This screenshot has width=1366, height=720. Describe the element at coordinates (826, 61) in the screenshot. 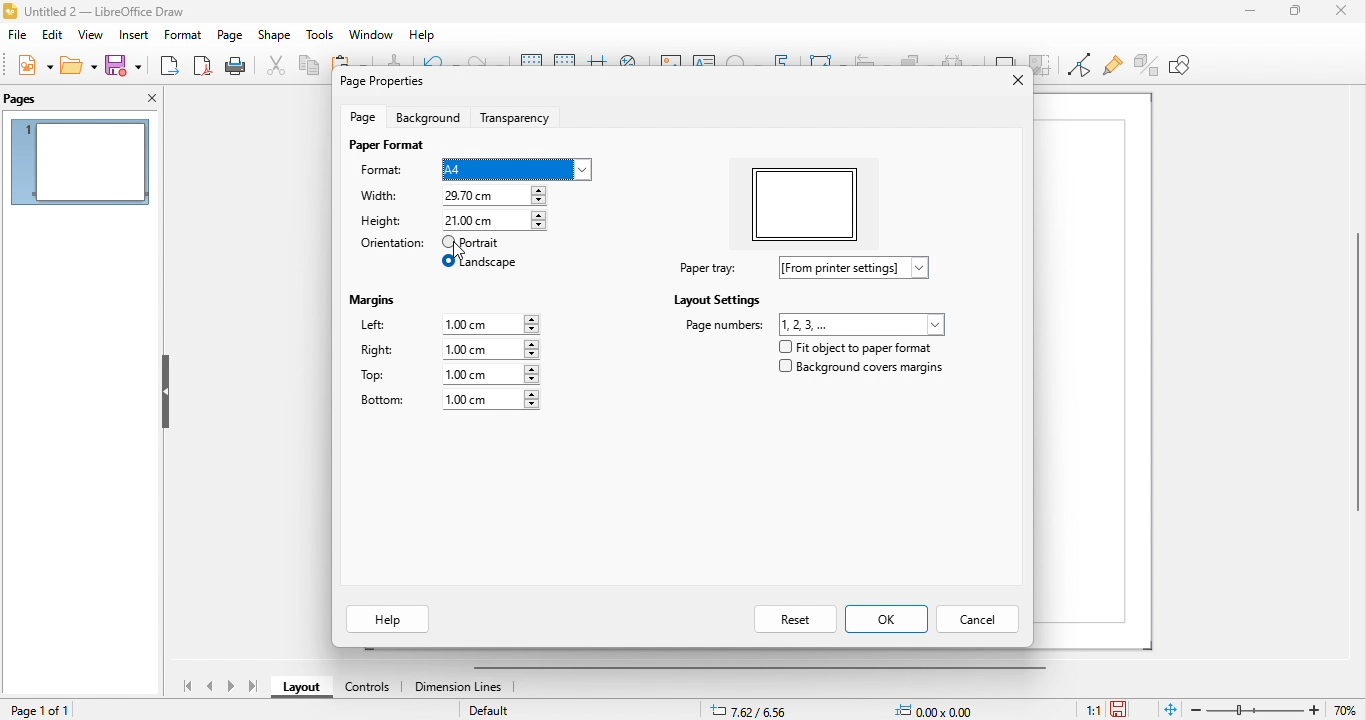

I see `transformations` at that location.